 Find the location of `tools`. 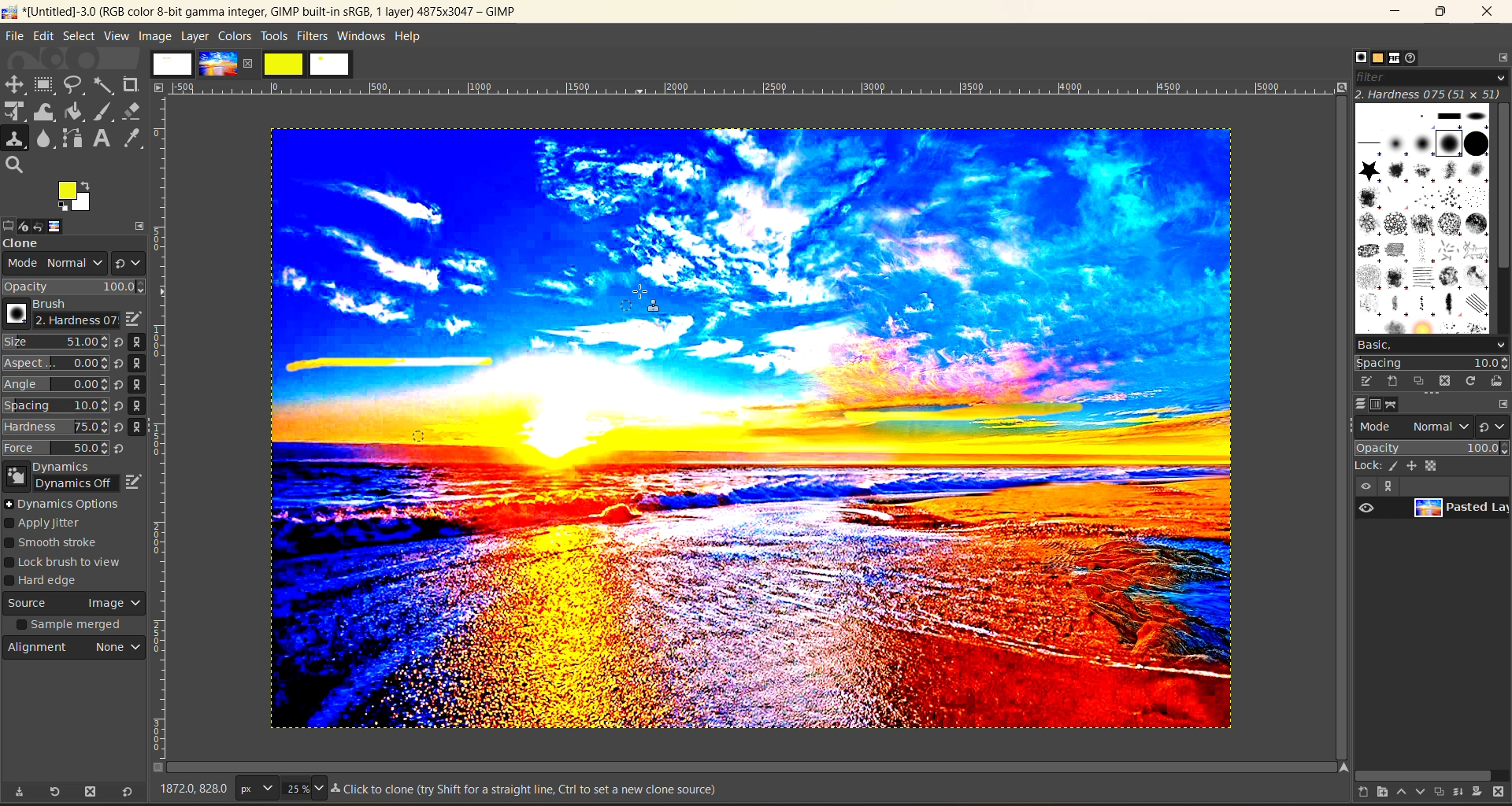

tools is located at coordinates (274, 36).